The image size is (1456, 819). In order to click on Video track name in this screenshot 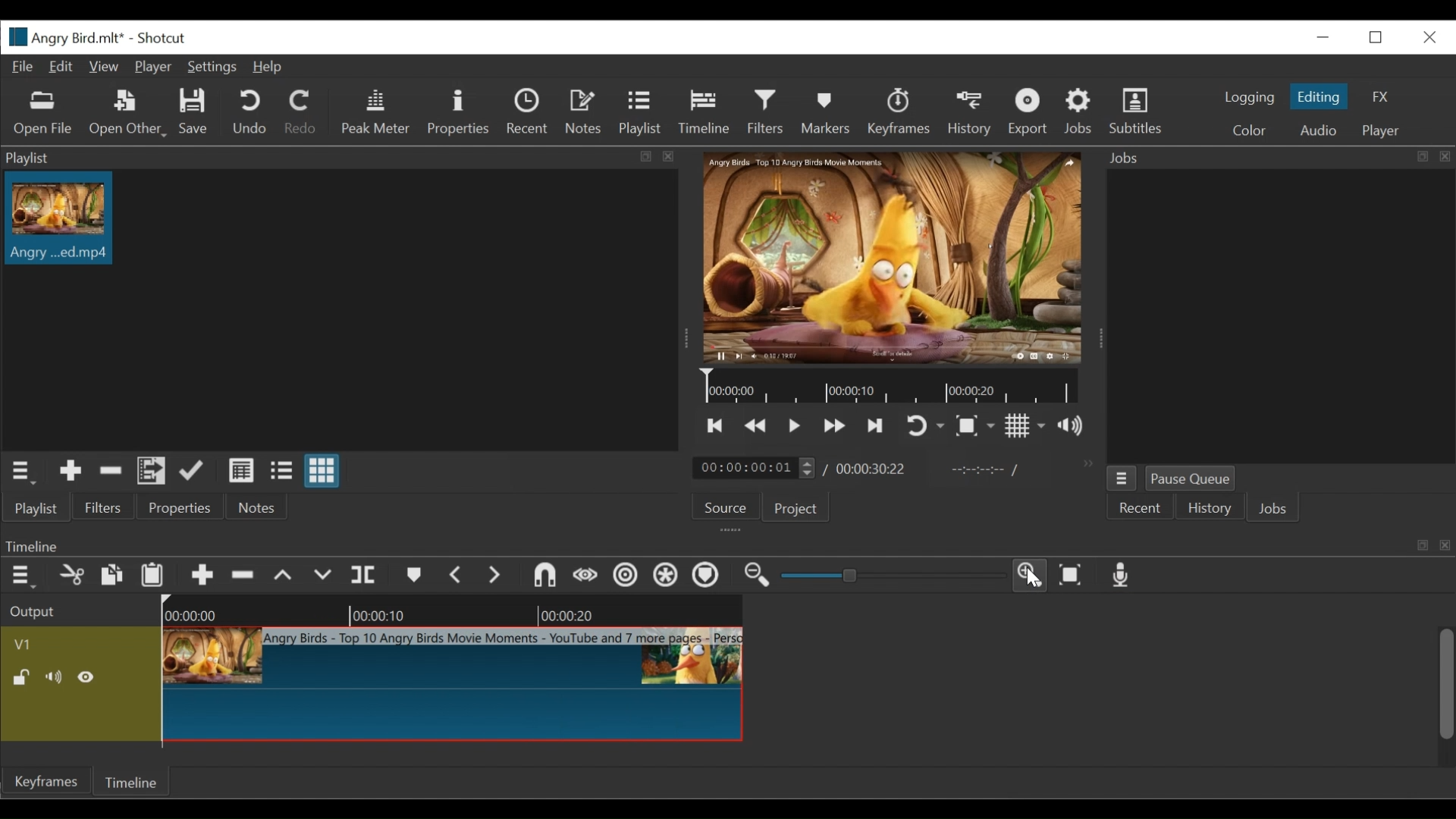, I will do `click(78, 643)`.